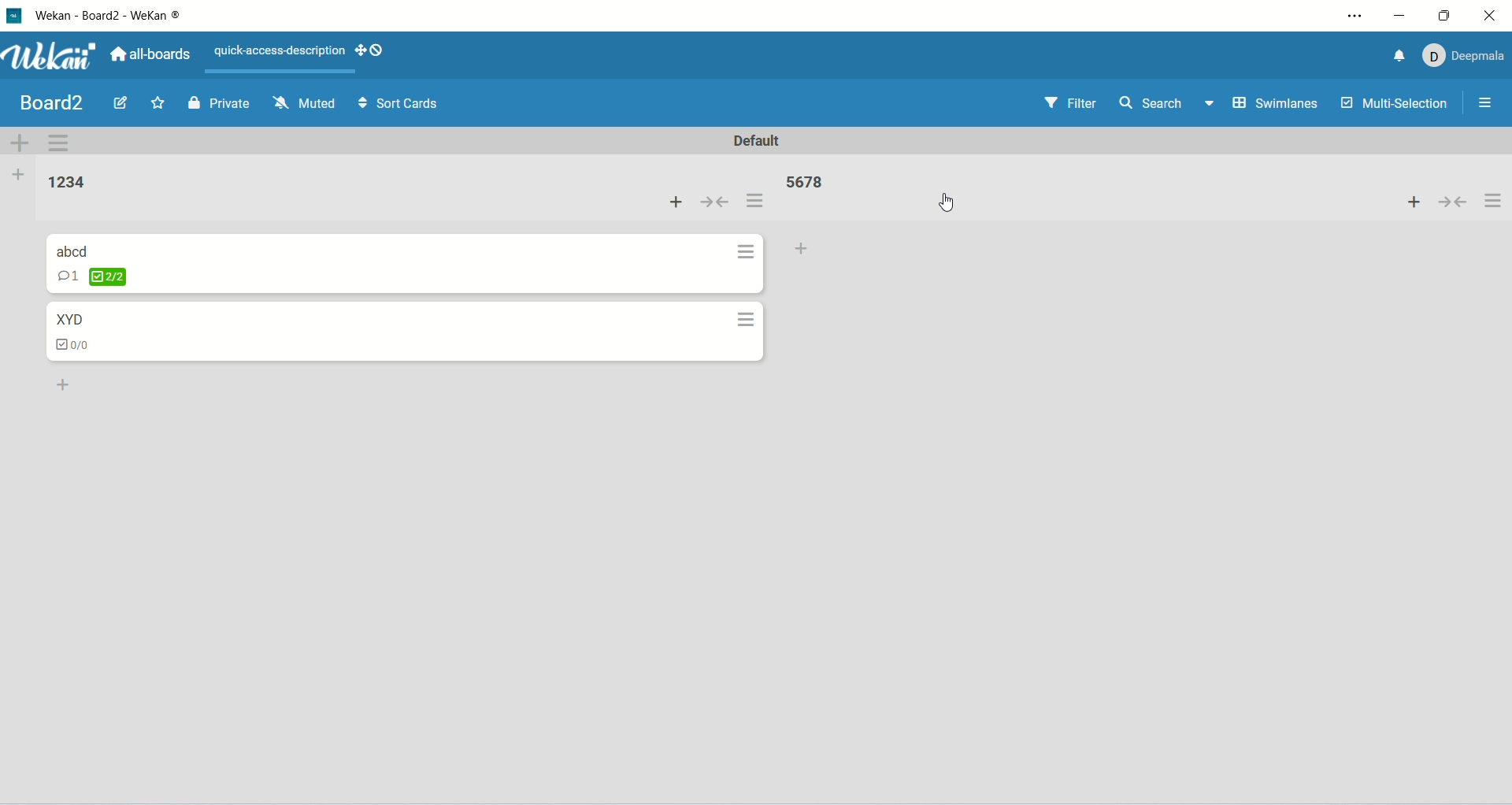 Image resolution: width=1512 pixels, height=805 pixels. What do you see at coordinates (369, 50) in the screenshot?
I see `SHOW-DESKTOP-DRAG-HANDLES` at bounding box center [369, 50].